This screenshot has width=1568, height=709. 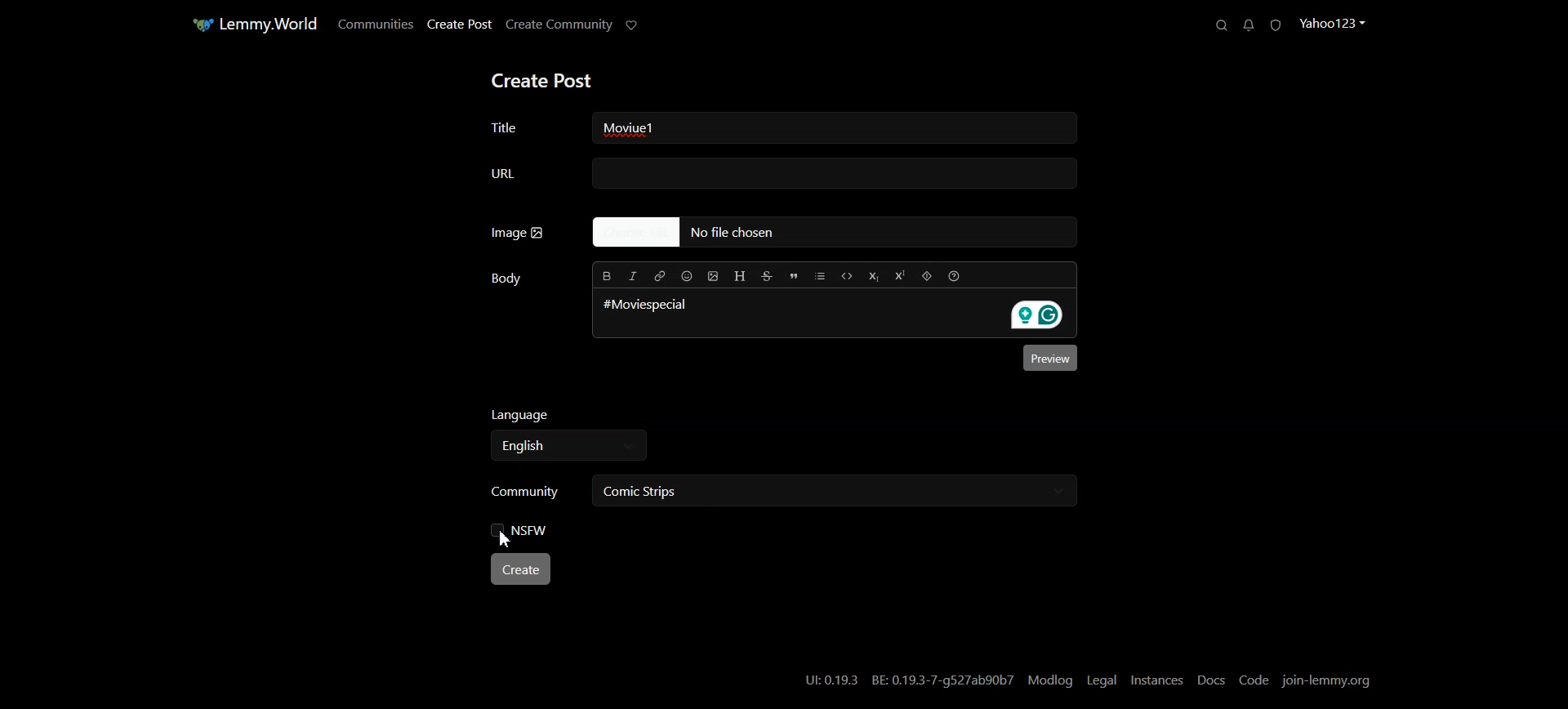 What do you see at coordinates (1045, 358) in the screenshot?
I see `Preview` at bounding box center [1045, 358].